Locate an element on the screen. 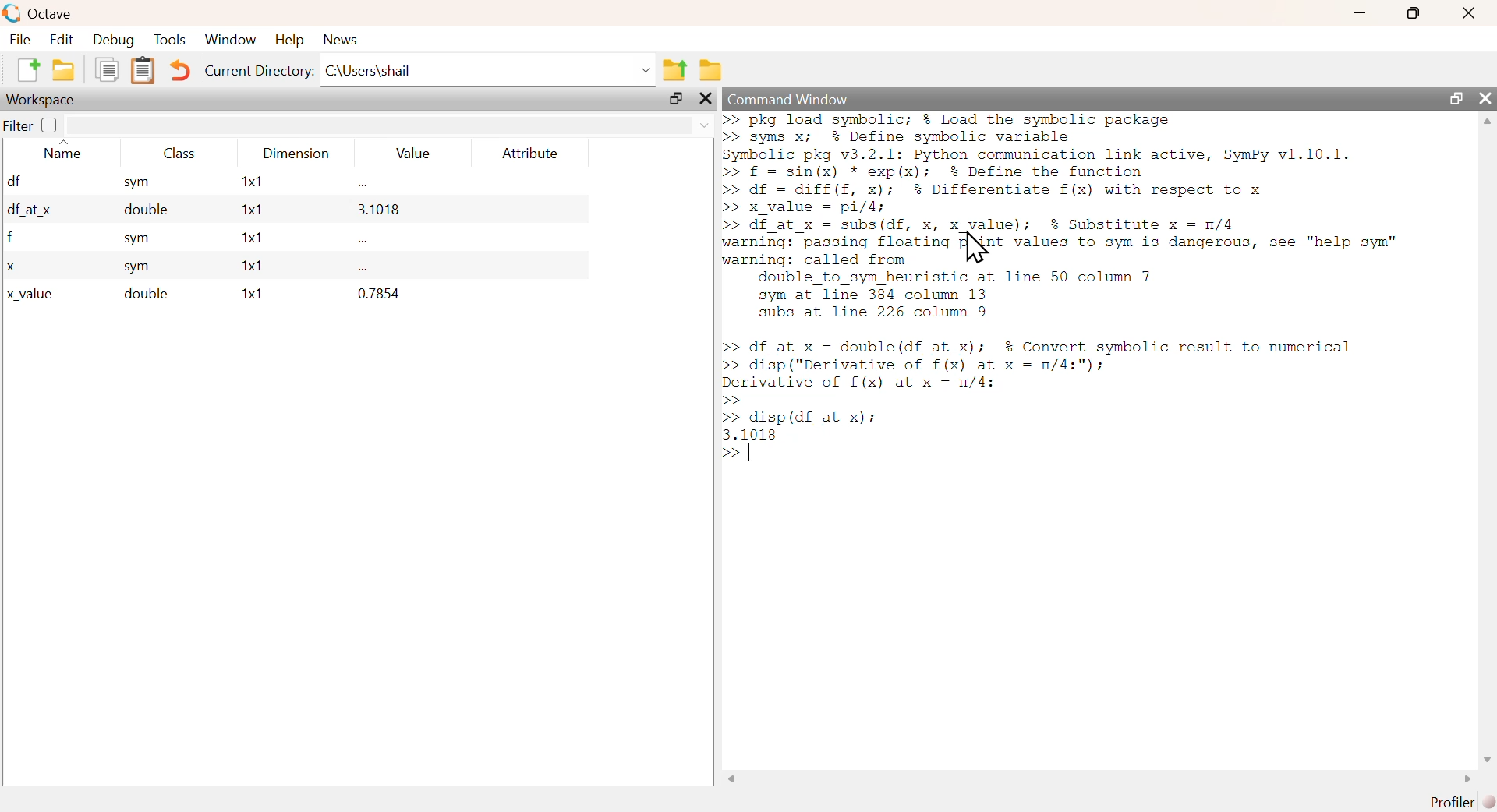  search area is located at coordinates (391, 125).